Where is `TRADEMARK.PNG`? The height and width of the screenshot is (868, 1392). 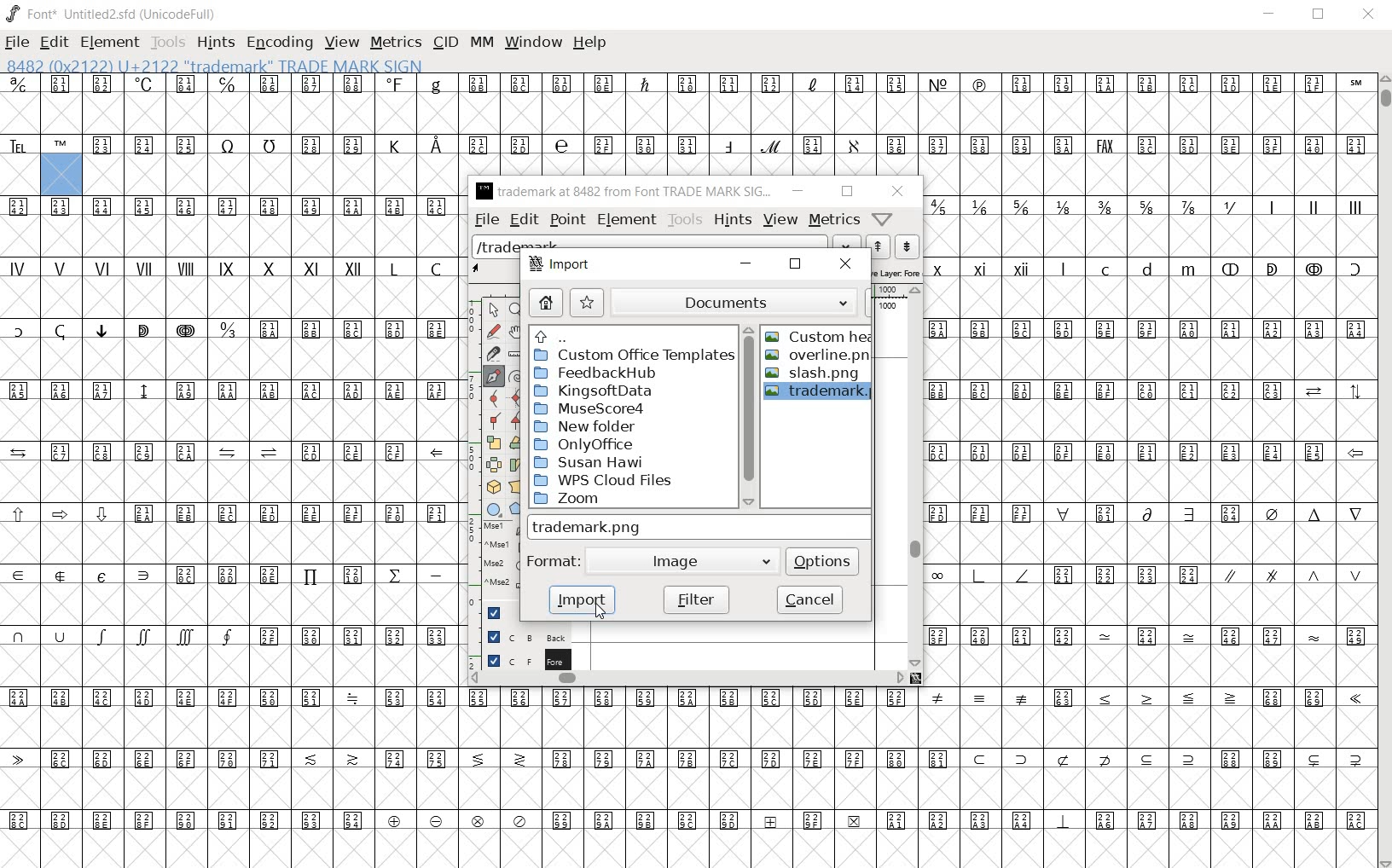
TRADEMARK.PNG is located at coordinates (655, 527).